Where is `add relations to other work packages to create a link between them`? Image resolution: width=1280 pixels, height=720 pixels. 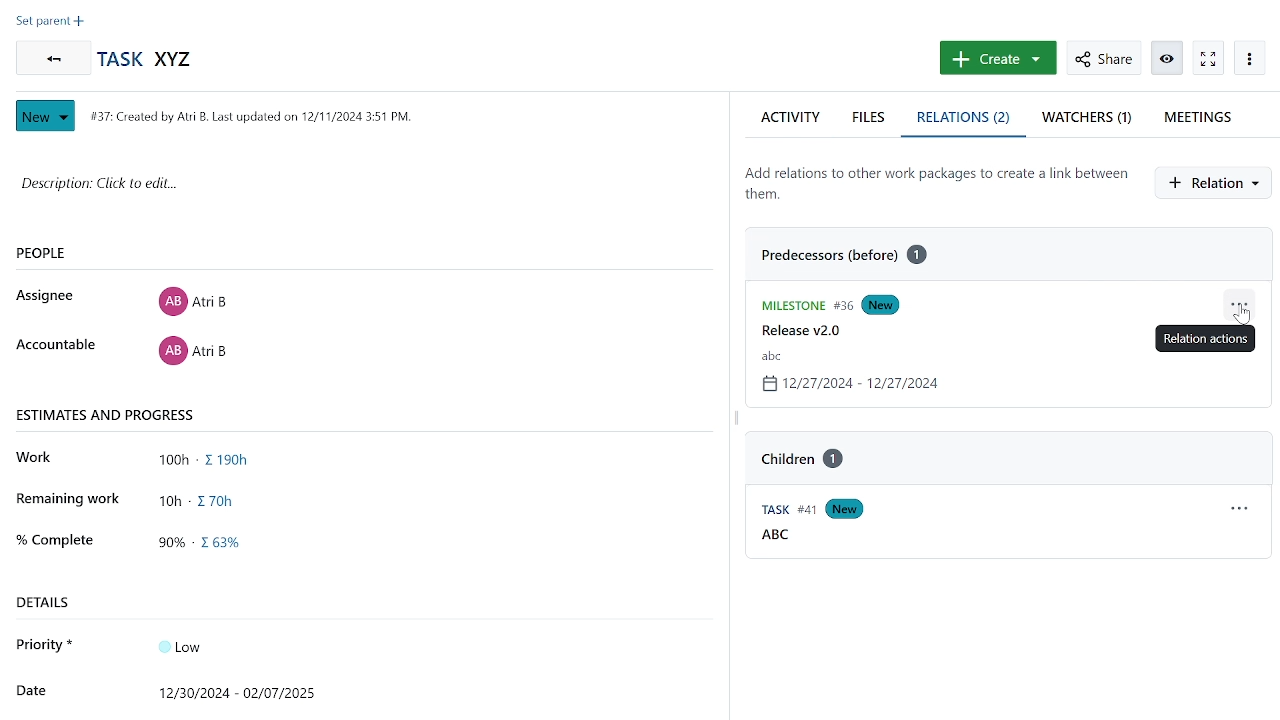
add relations to other work packages to create a link between them is located at coordinates (936, 183).